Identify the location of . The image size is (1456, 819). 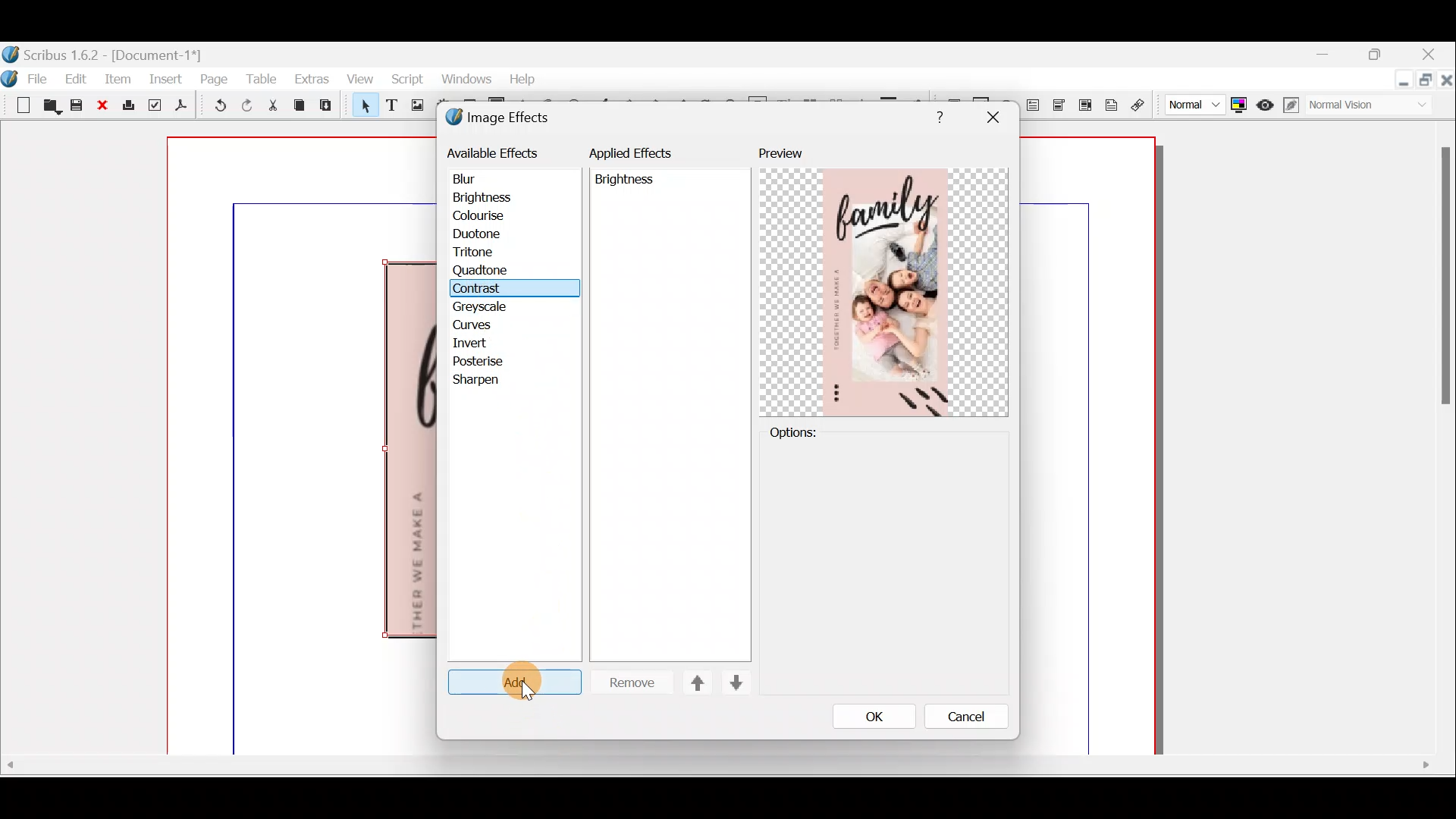
(936, 115).